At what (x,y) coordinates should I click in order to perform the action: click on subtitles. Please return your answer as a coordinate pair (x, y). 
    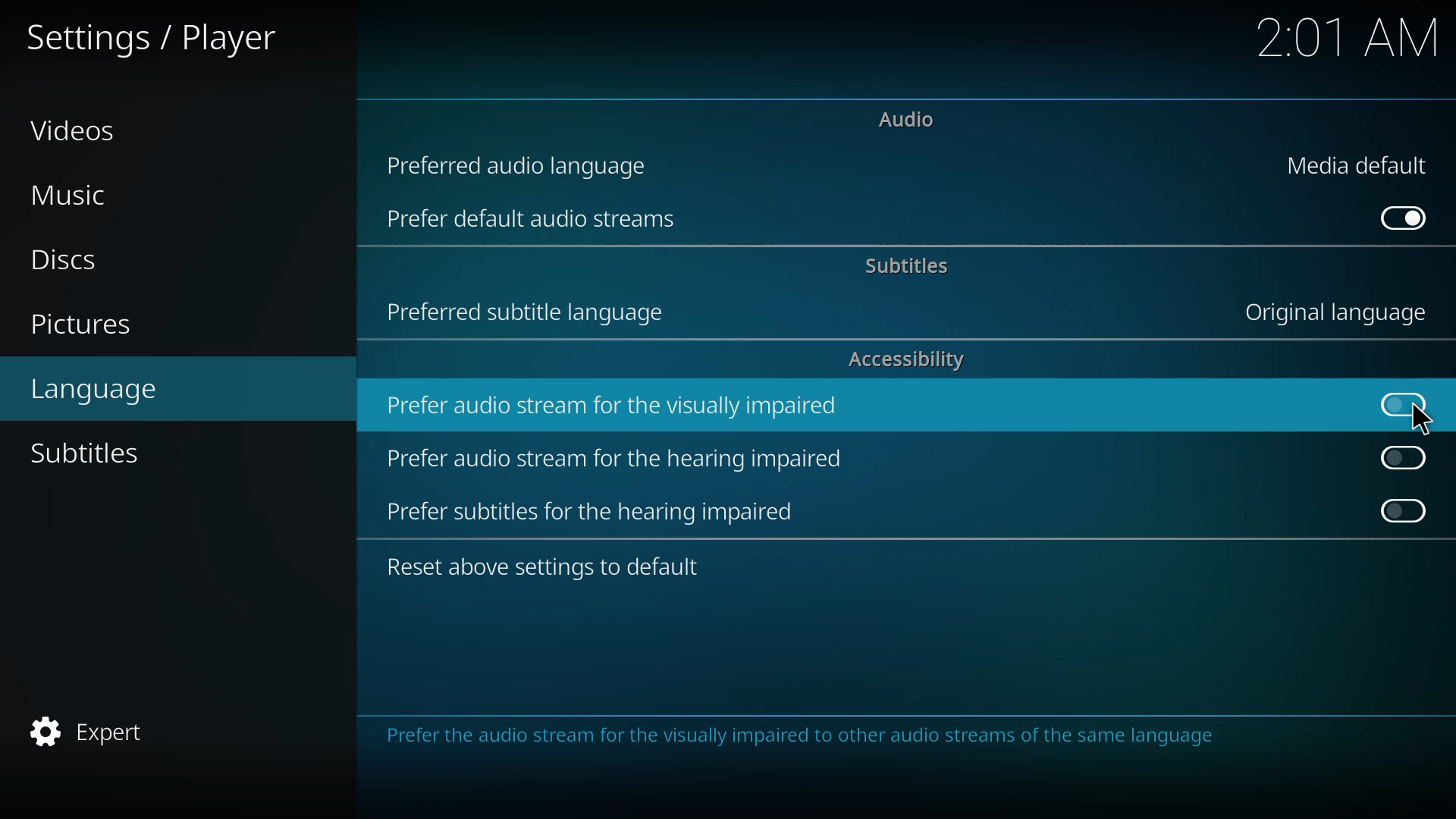
    Looking at the image, I should click on (906, 266).